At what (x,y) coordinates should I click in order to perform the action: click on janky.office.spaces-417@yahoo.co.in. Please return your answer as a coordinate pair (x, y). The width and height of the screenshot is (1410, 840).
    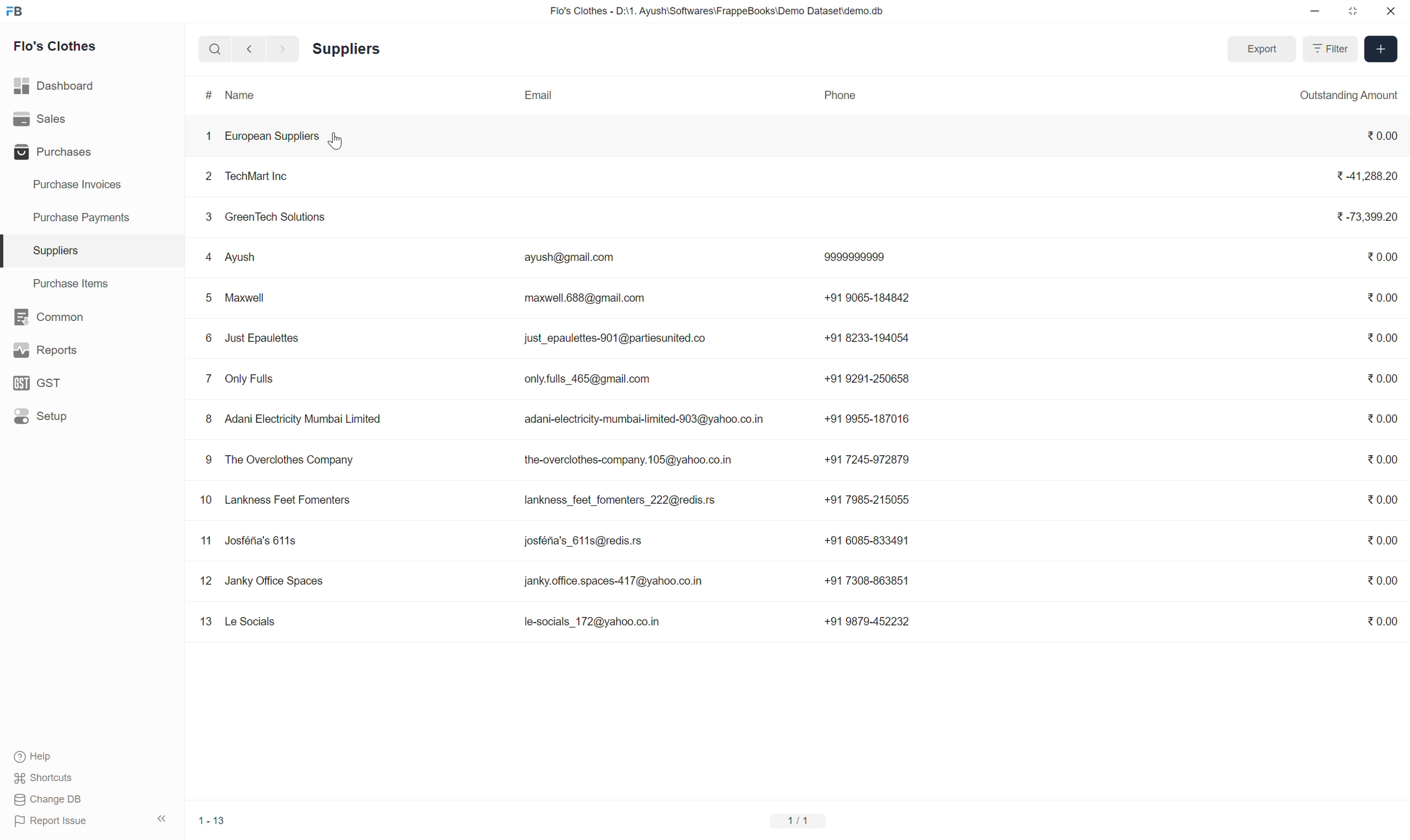
    Looking at the image, I should click on (608, 582).